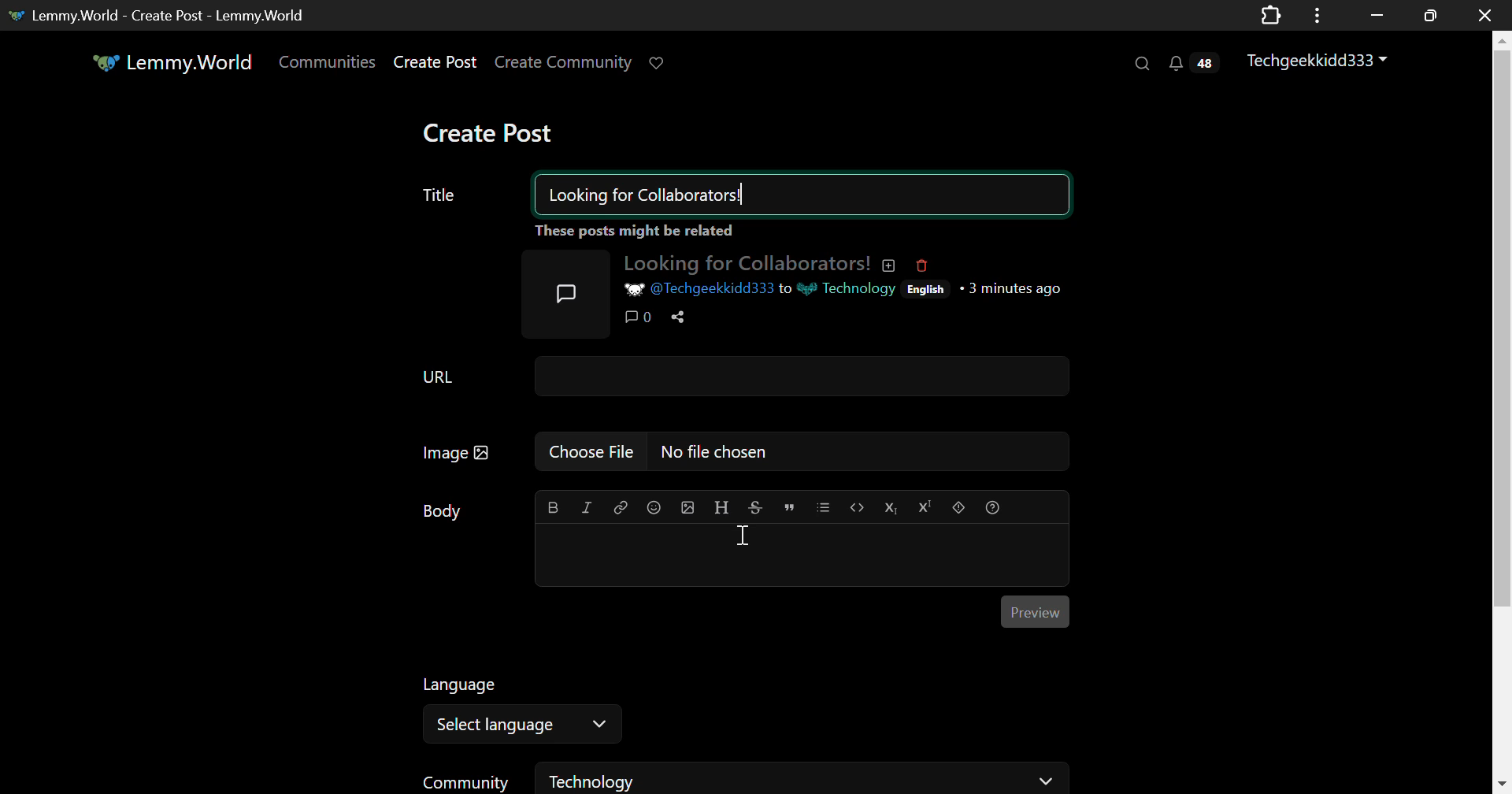  What do you see at coordinates (1377, 15) in the screenshot?
I see `Restore Down` at bounding box center [1377, 15].